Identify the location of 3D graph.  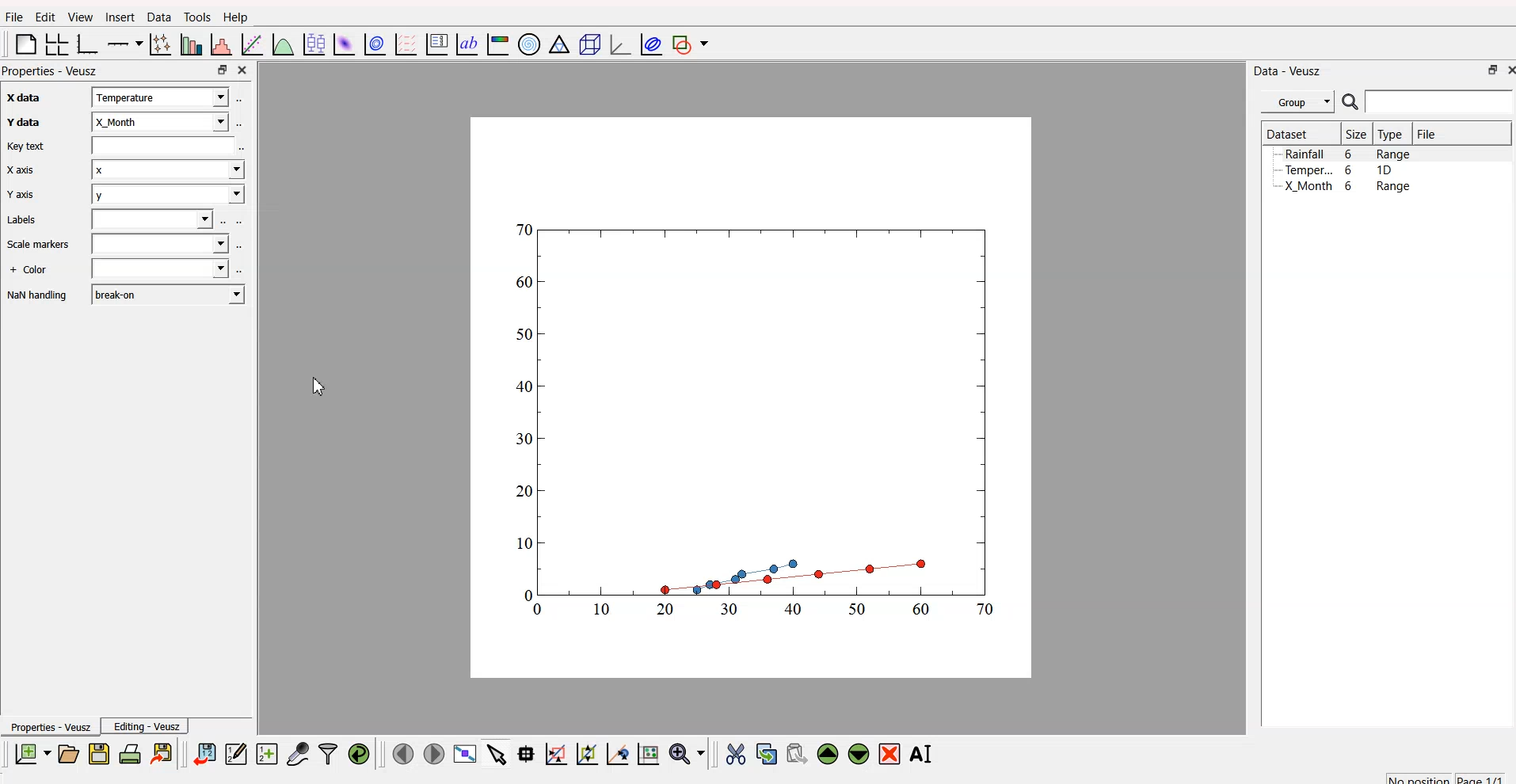
(615, 44).